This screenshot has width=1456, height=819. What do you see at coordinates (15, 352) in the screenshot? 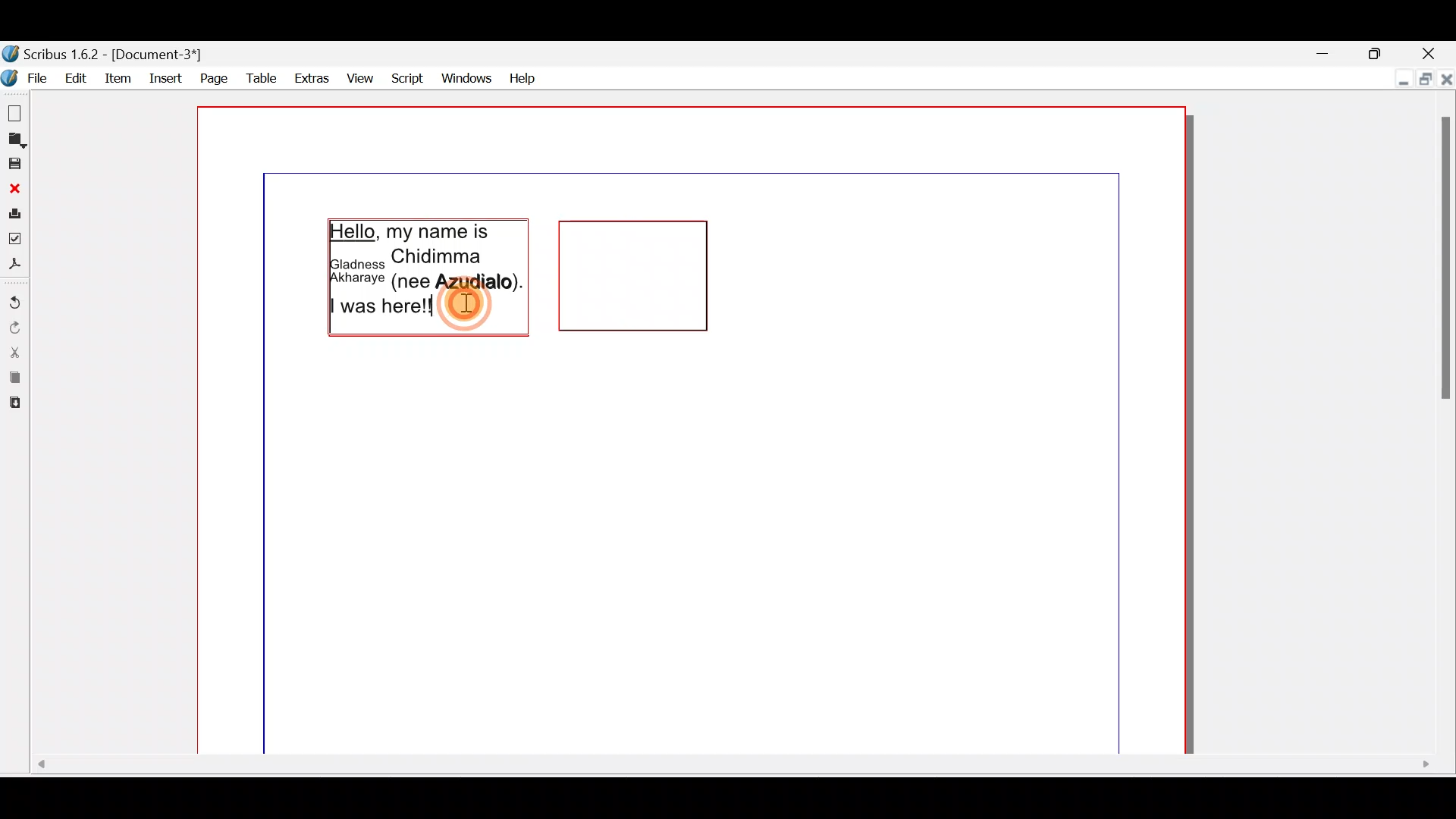
I see `Cut` at bounding box center [15, 352].